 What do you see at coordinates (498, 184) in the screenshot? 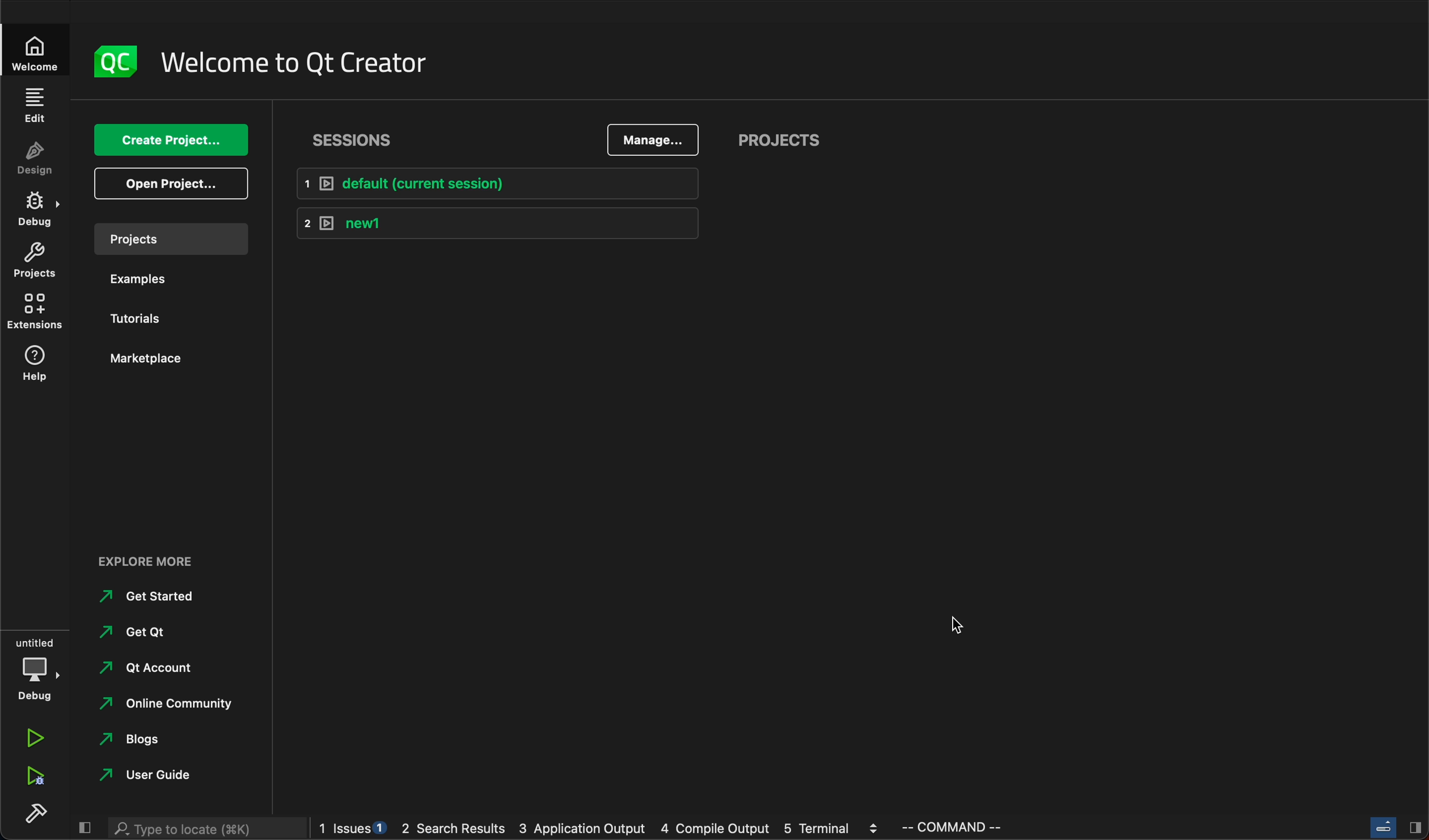
I see `default` at bounding box center [498, 184].